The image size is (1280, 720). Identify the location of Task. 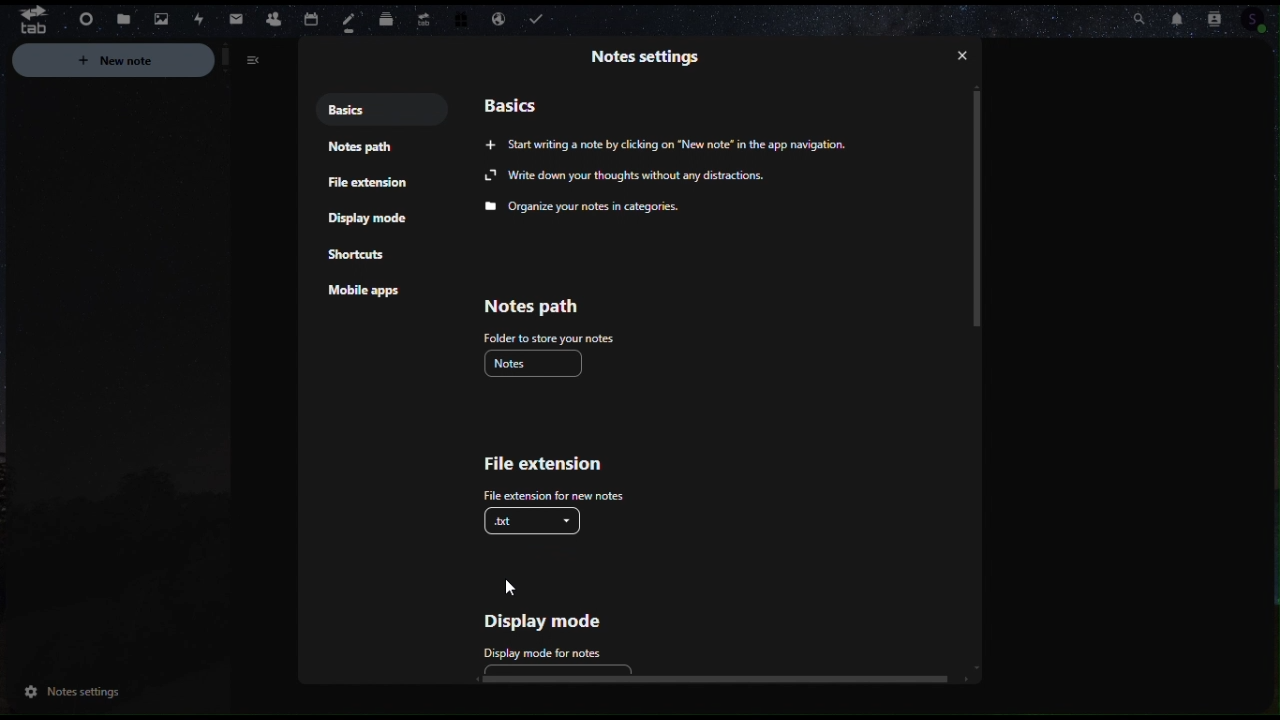
(540, 20).